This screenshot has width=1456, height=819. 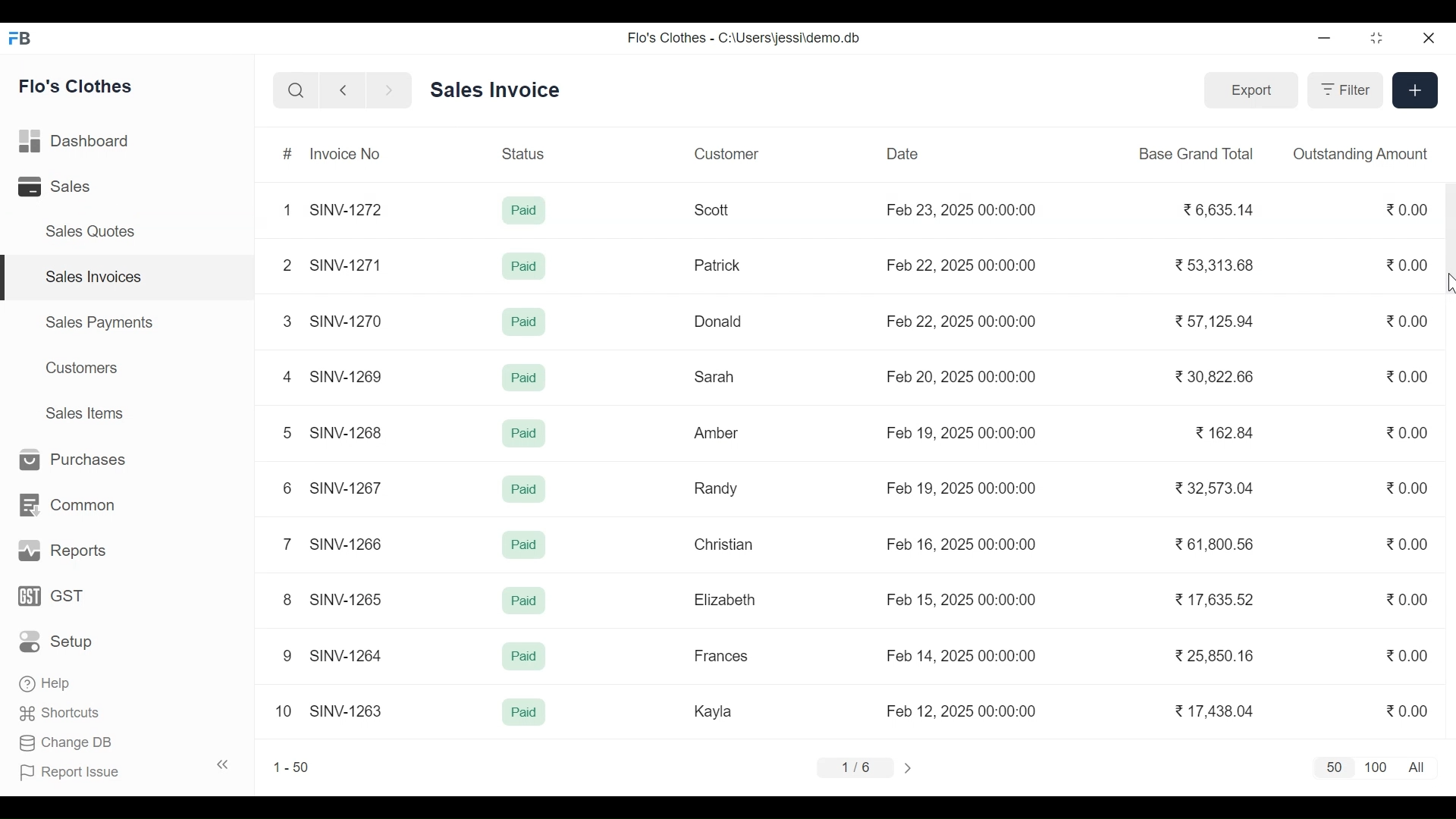 I want to click on 7, so click(x=285, y=543).